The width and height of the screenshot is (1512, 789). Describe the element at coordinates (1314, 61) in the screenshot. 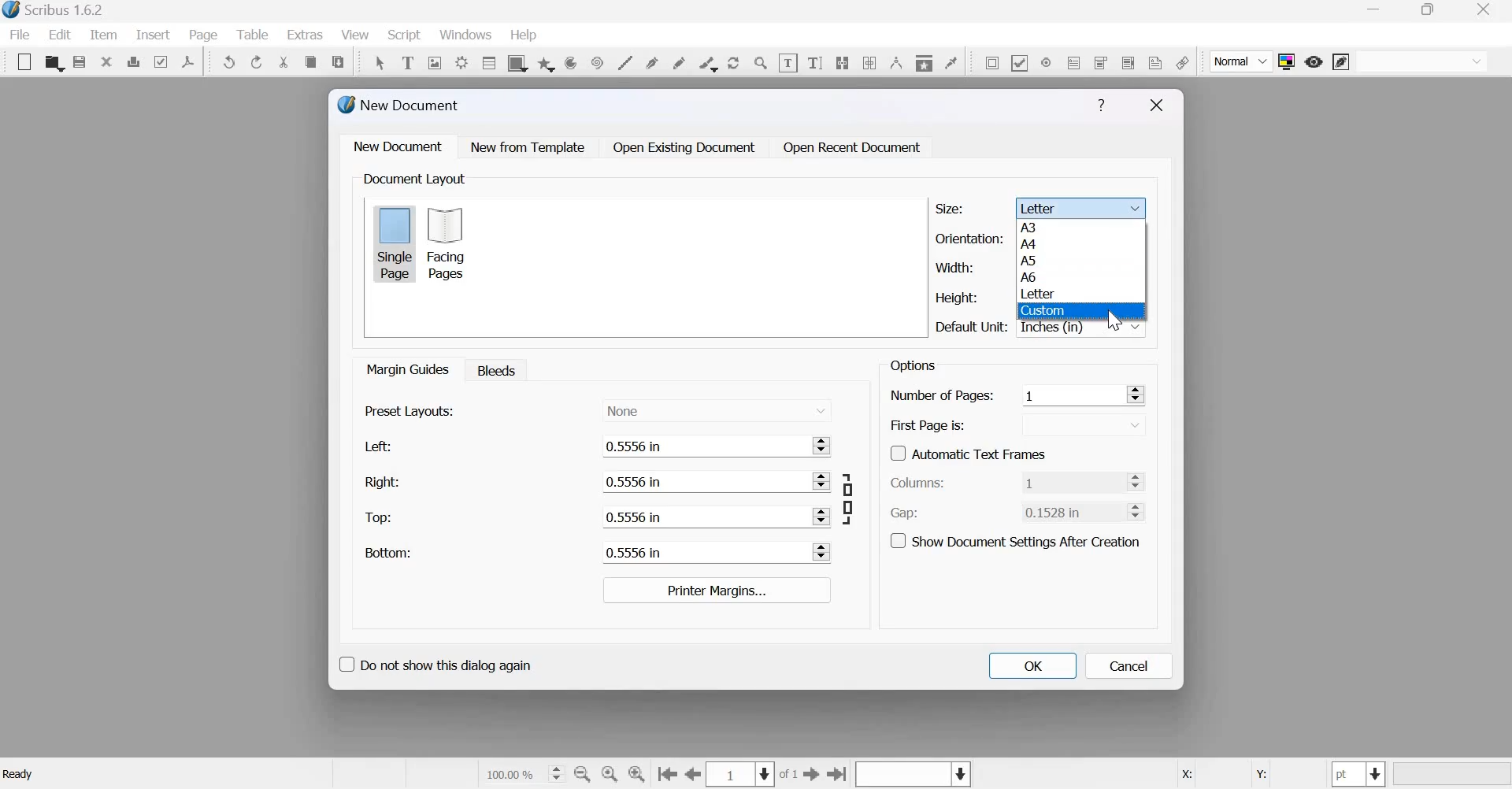

I see `preview mode` at that location.